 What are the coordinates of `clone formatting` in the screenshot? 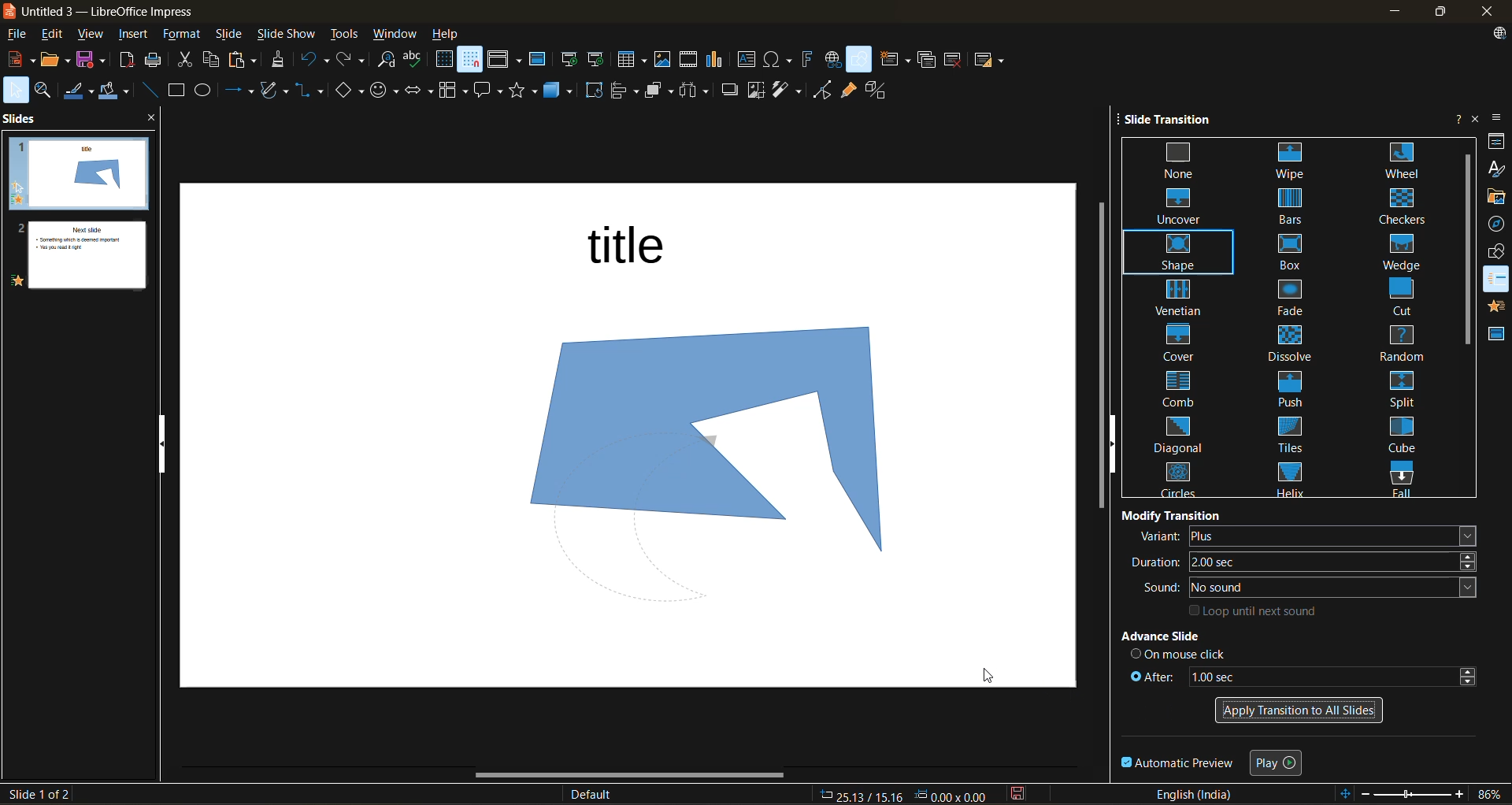 It's located at (283, 61).